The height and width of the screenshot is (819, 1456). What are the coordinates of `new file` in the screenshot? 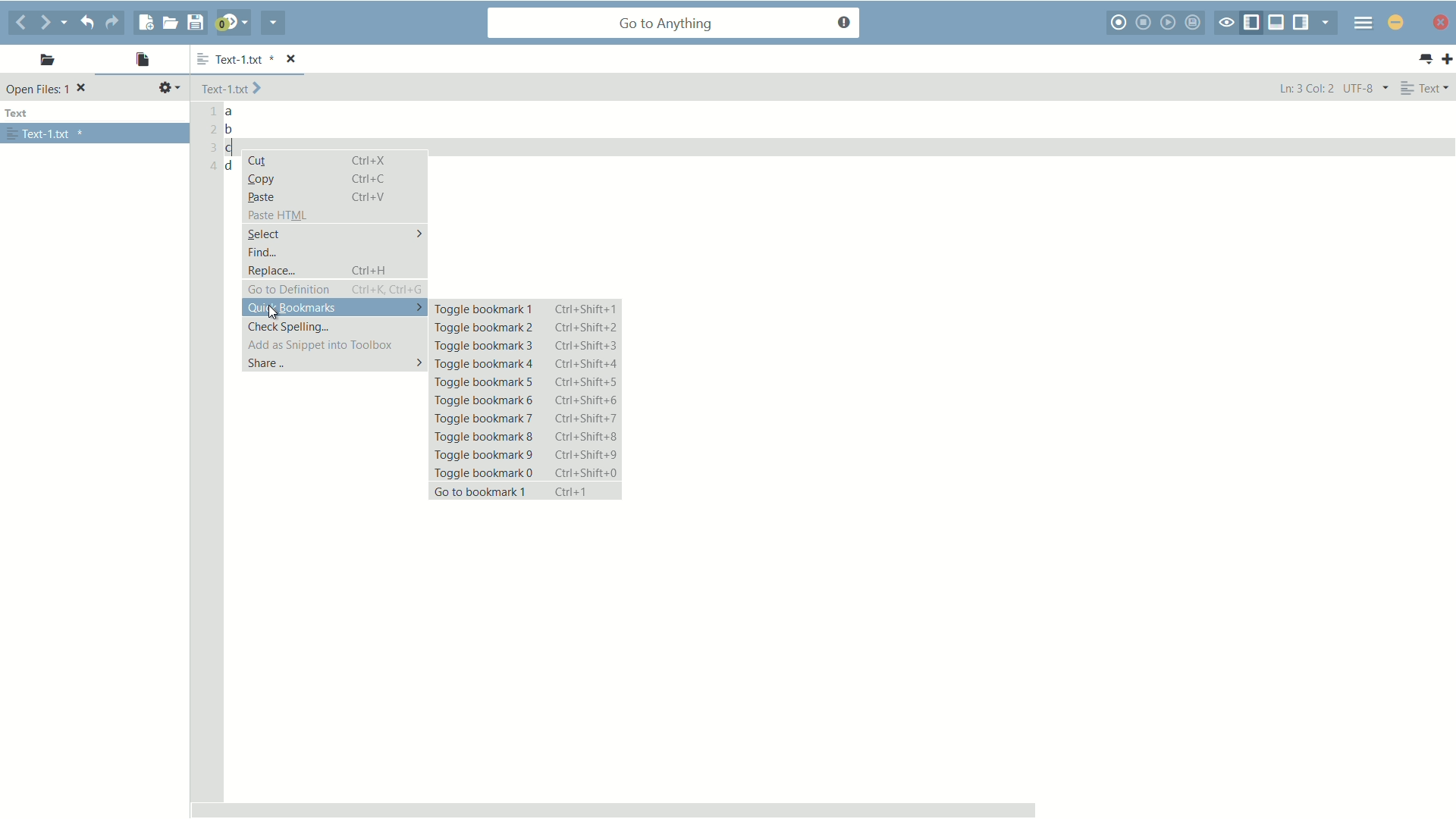 It's located at (145, 23).